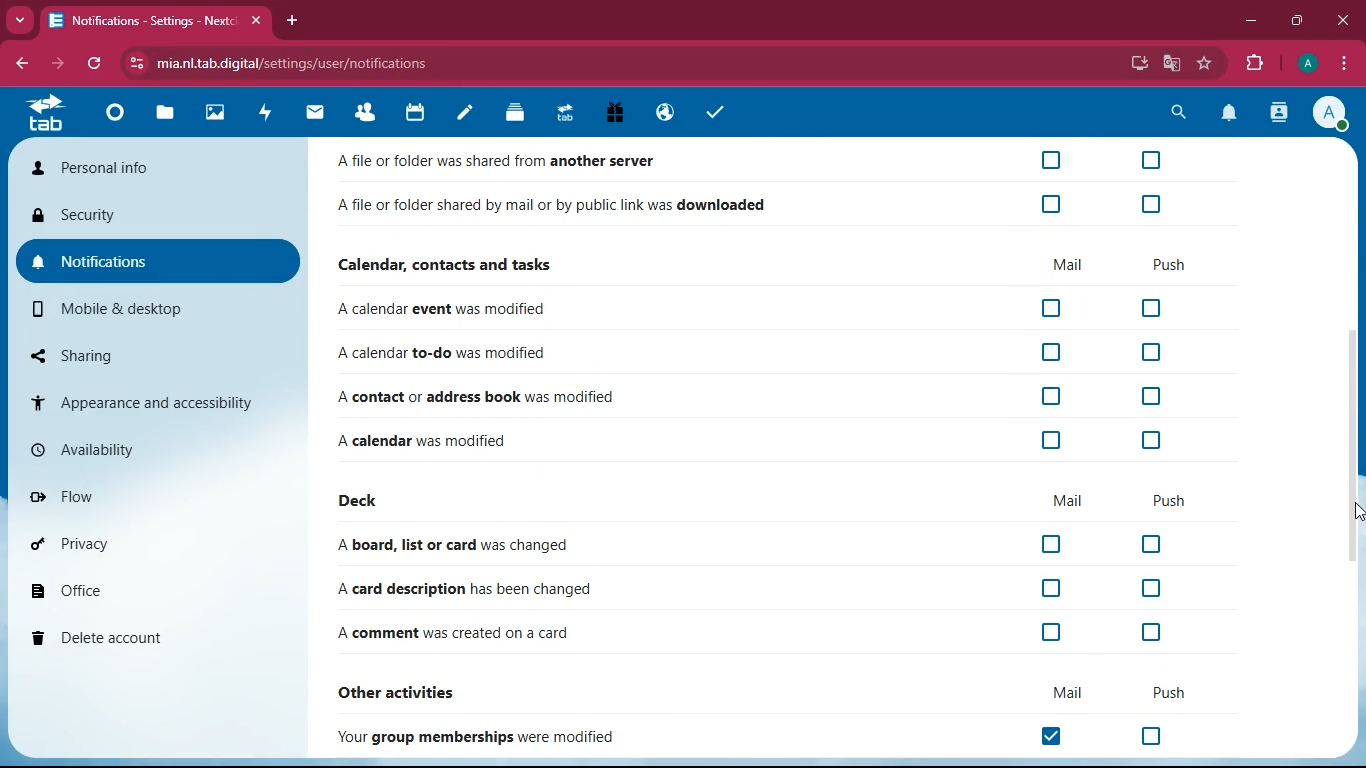 The width and height of the screenshot is (1366, 768). I want to click on push, so click(1171, 264).